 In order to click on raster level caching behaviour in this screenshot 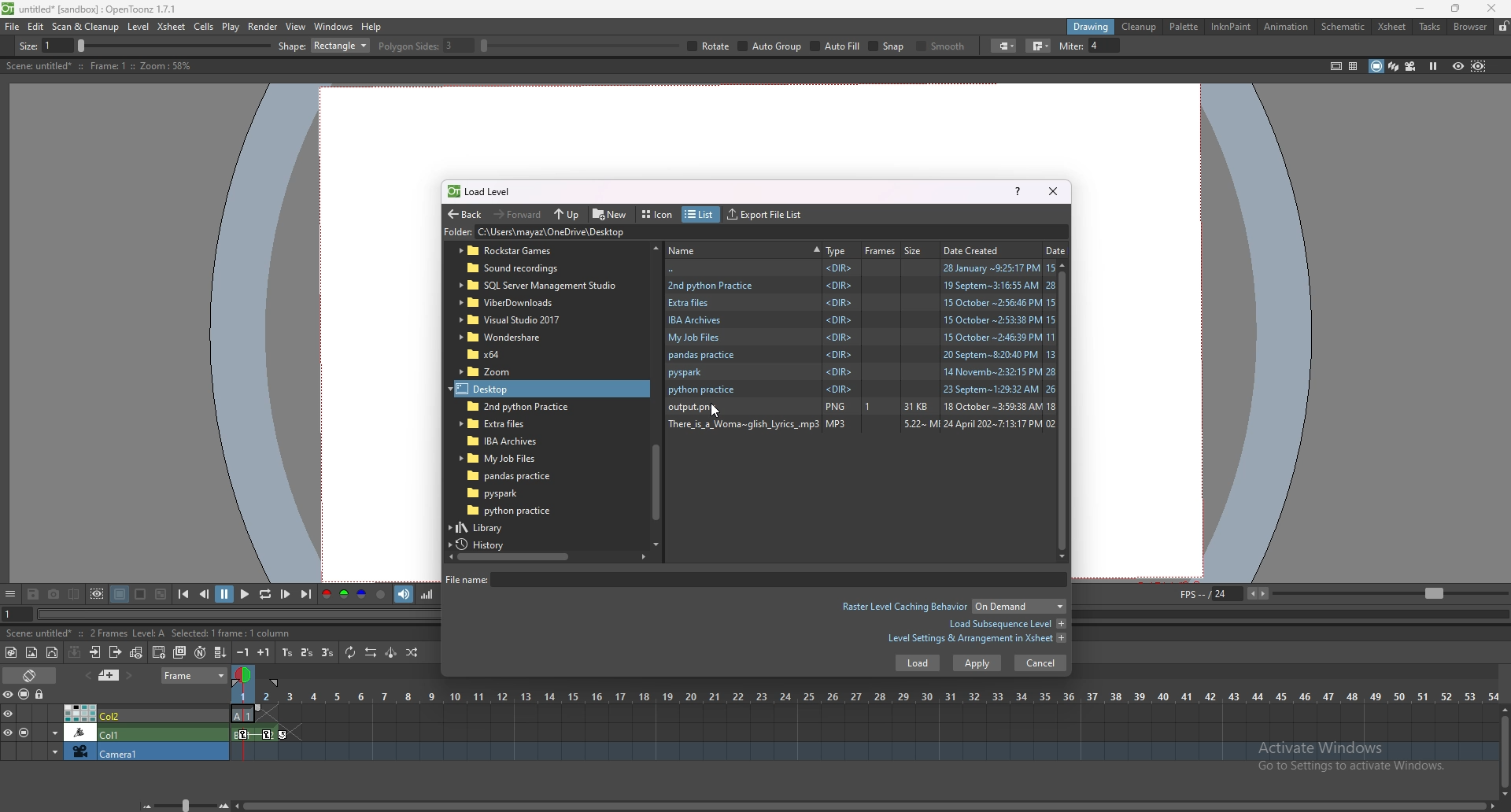, I will do `click(952, 608)`.